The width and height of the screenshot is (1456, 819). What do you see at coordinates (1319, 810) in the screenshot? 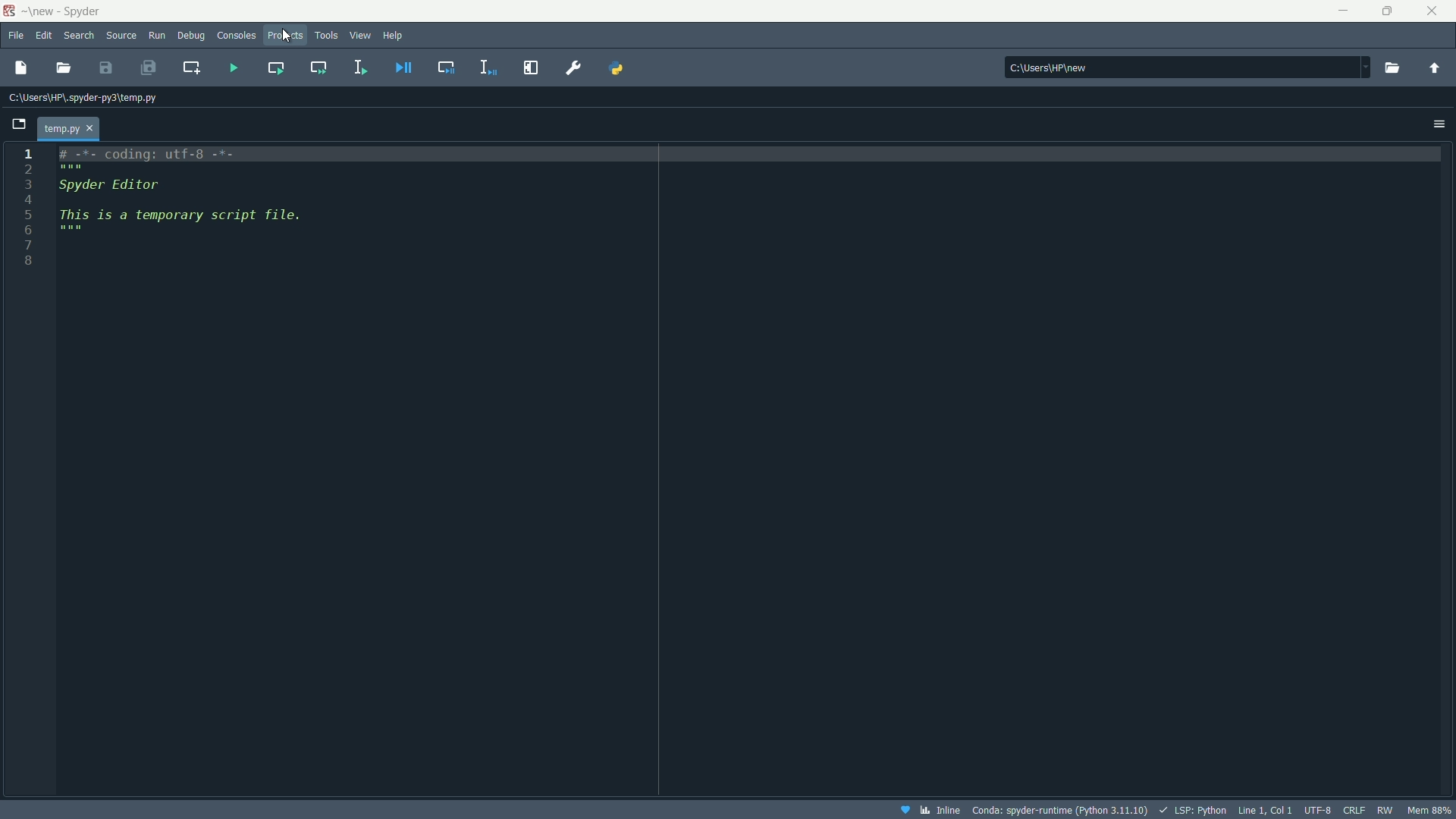
I see `UTF-8` at bounding box center [1319, 810].